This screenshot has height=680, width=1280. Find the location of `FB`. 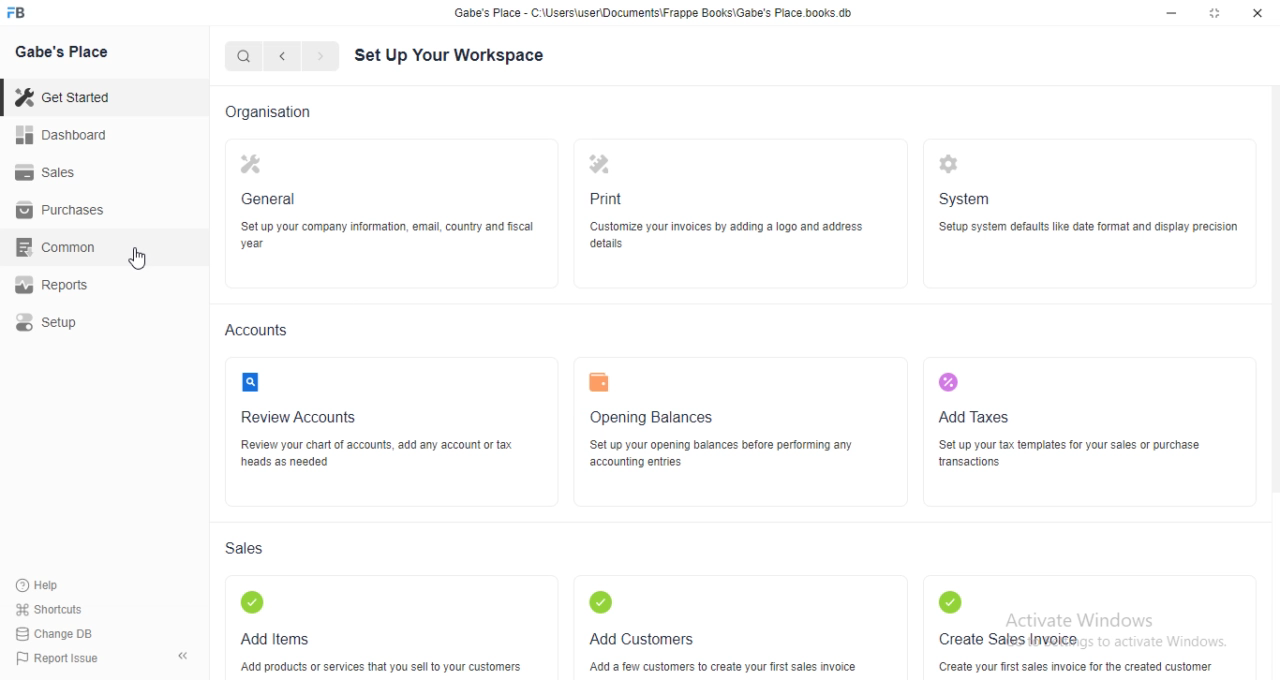

FB is located at coordinates (19, 11).